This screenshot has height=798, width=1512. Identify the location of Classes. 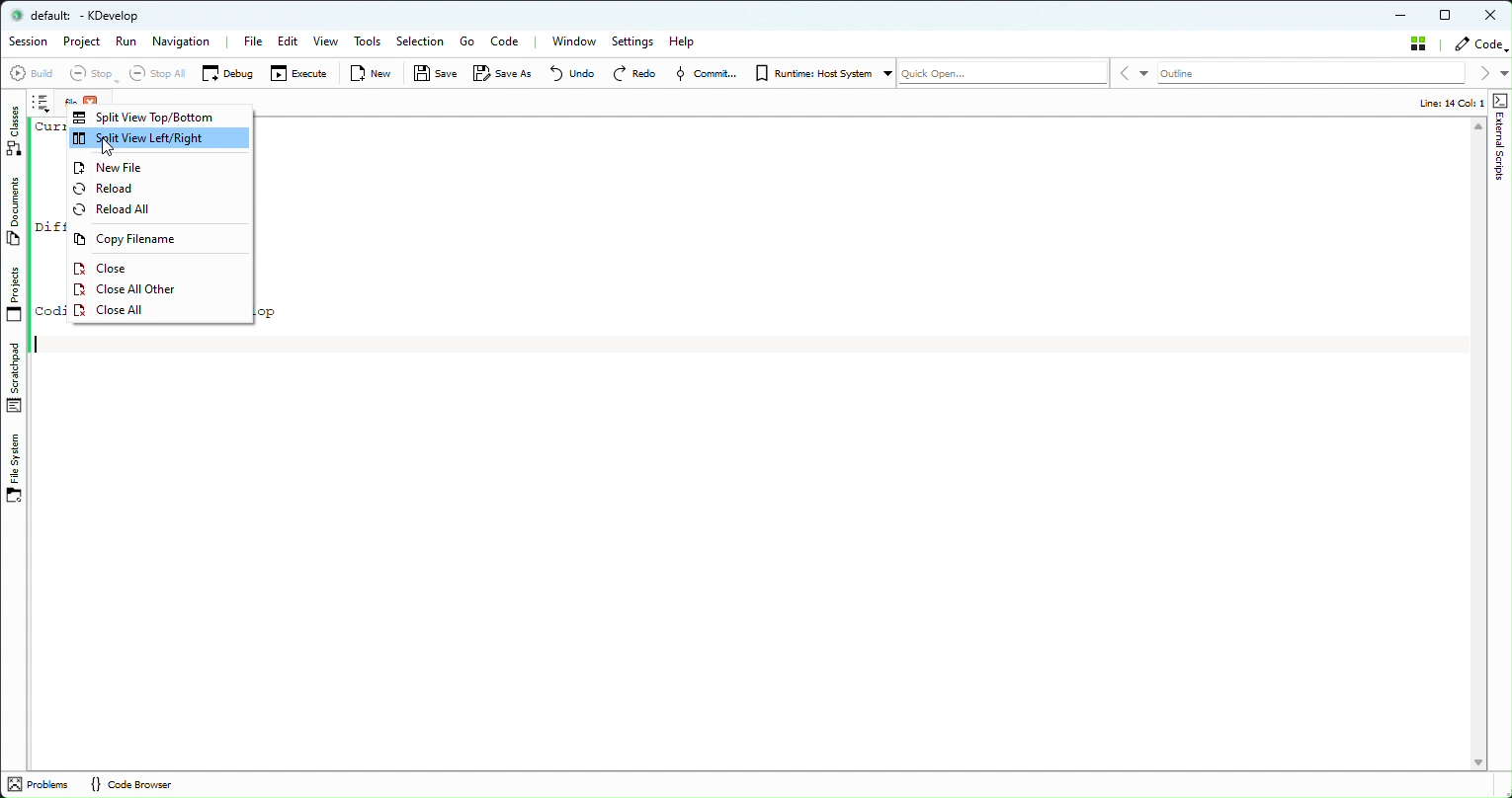
(15, 130).